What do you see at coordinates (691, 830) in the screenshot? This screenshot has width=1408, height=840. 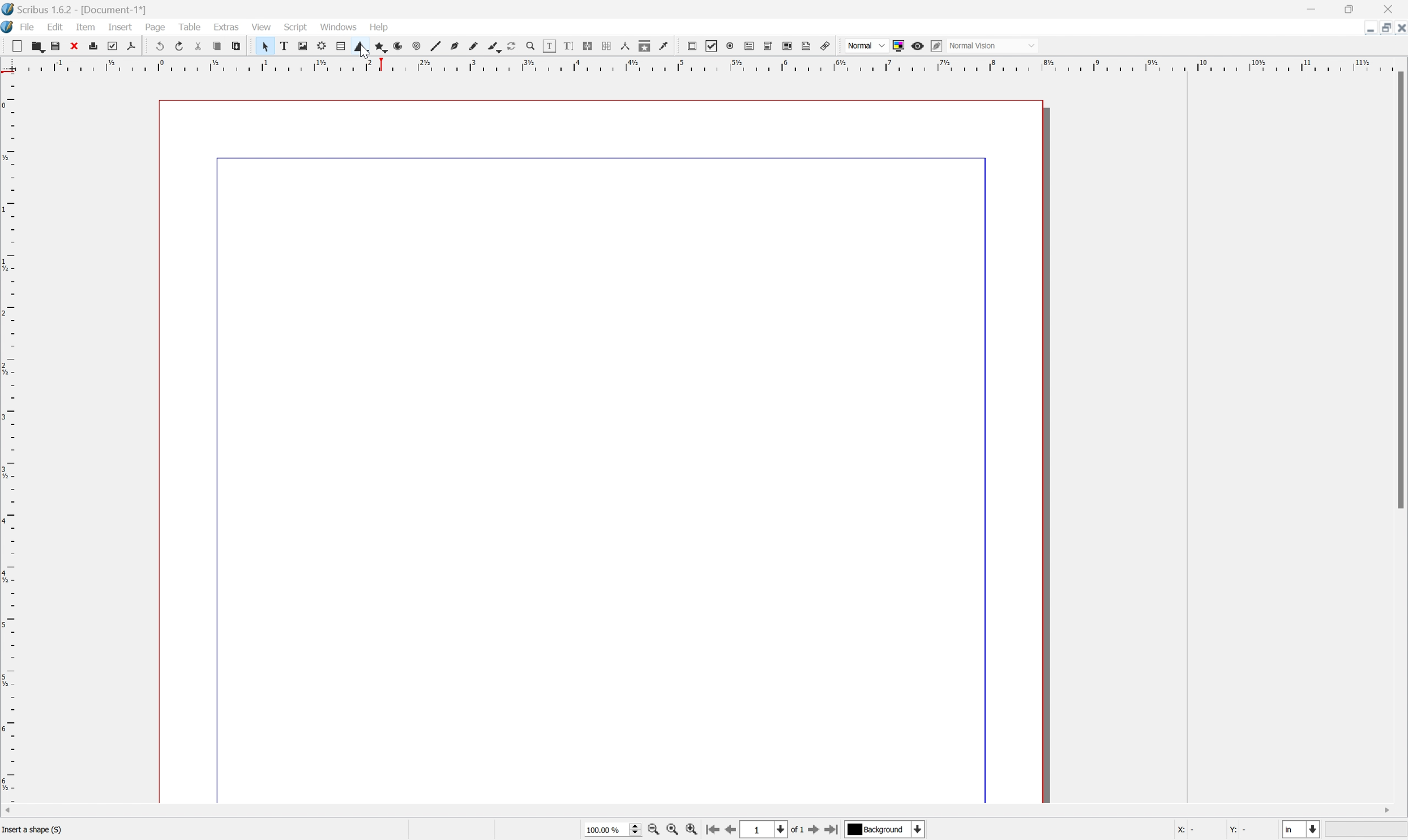 I see `Zoom in by stepping values in Tools preferences` at bounding box center [691, 830].